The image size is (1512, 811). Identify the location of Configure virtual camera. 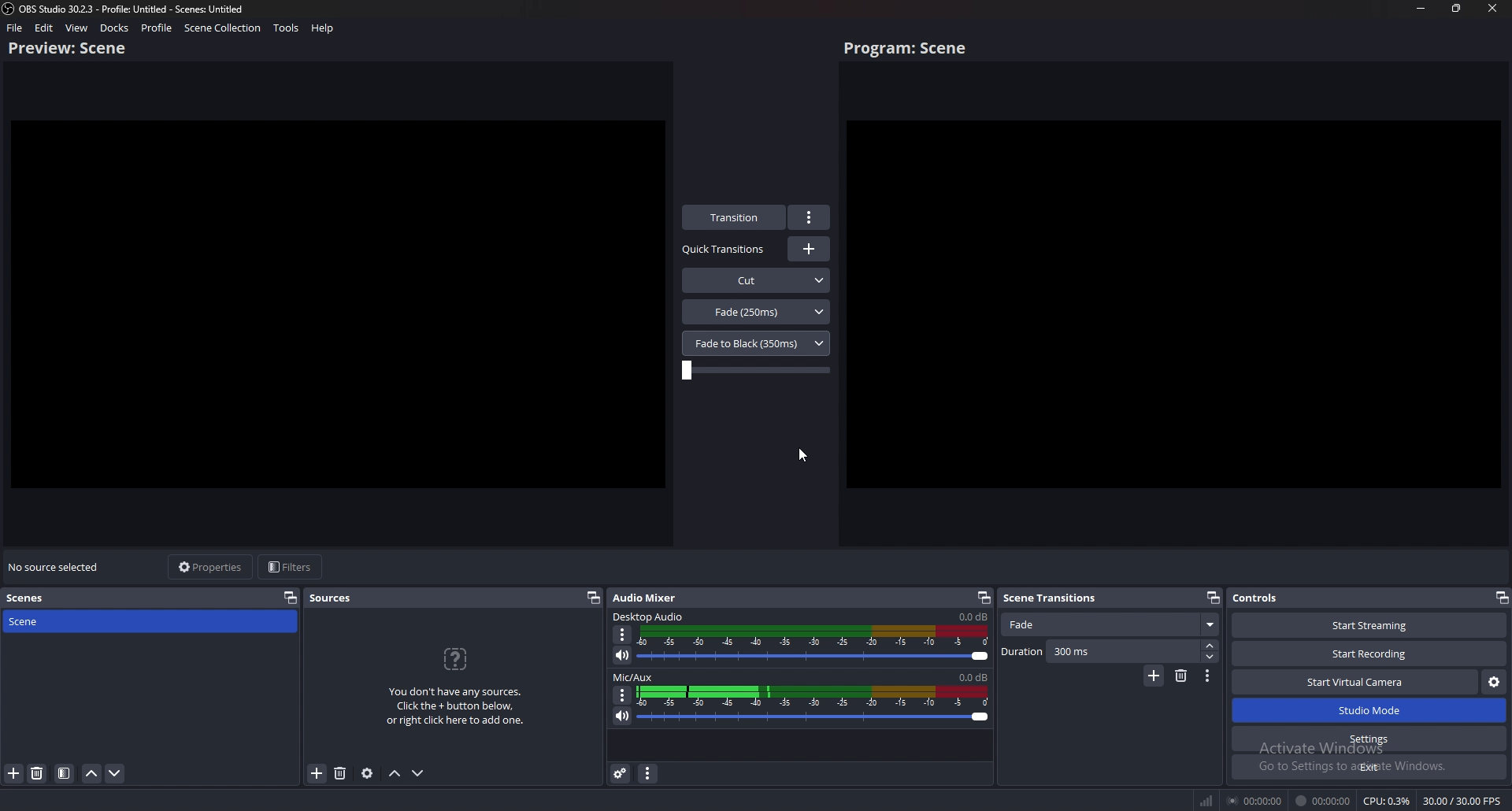
(1493, 683).